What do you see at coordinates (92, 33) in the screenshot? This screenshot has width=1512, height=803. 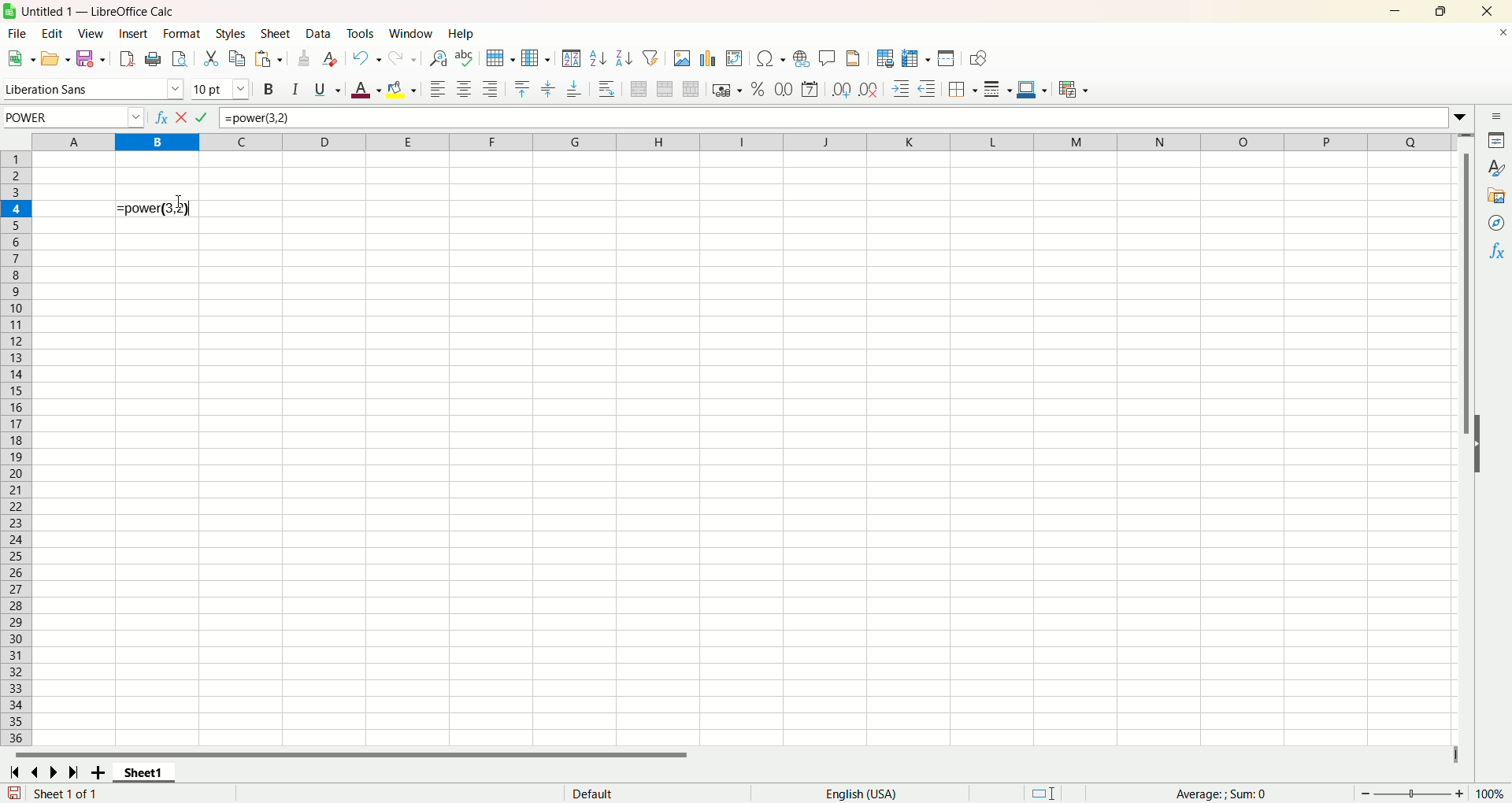 I see `view` at bounding box center [92, 33].